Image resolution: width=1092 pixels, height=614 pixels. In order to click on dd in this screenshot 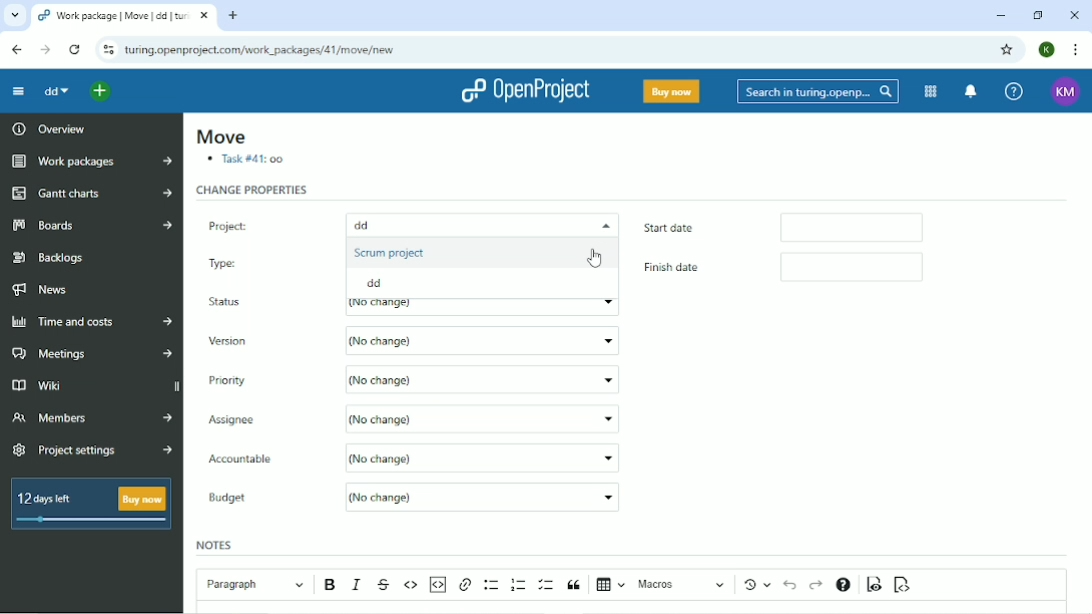, I will do `click(380, 284)`.